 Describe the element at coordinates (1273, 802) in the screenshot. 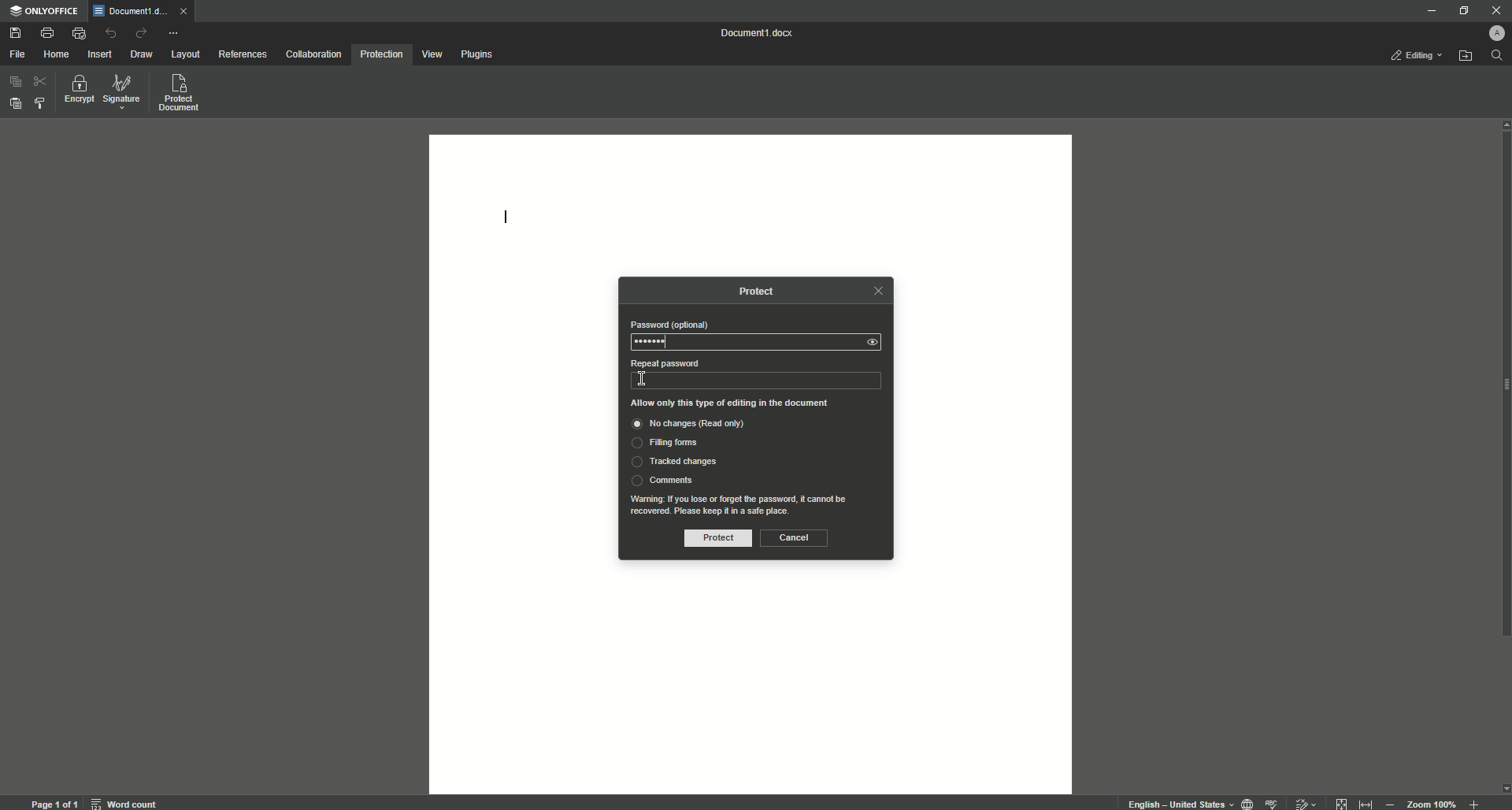

I see `spell checking` at that location.